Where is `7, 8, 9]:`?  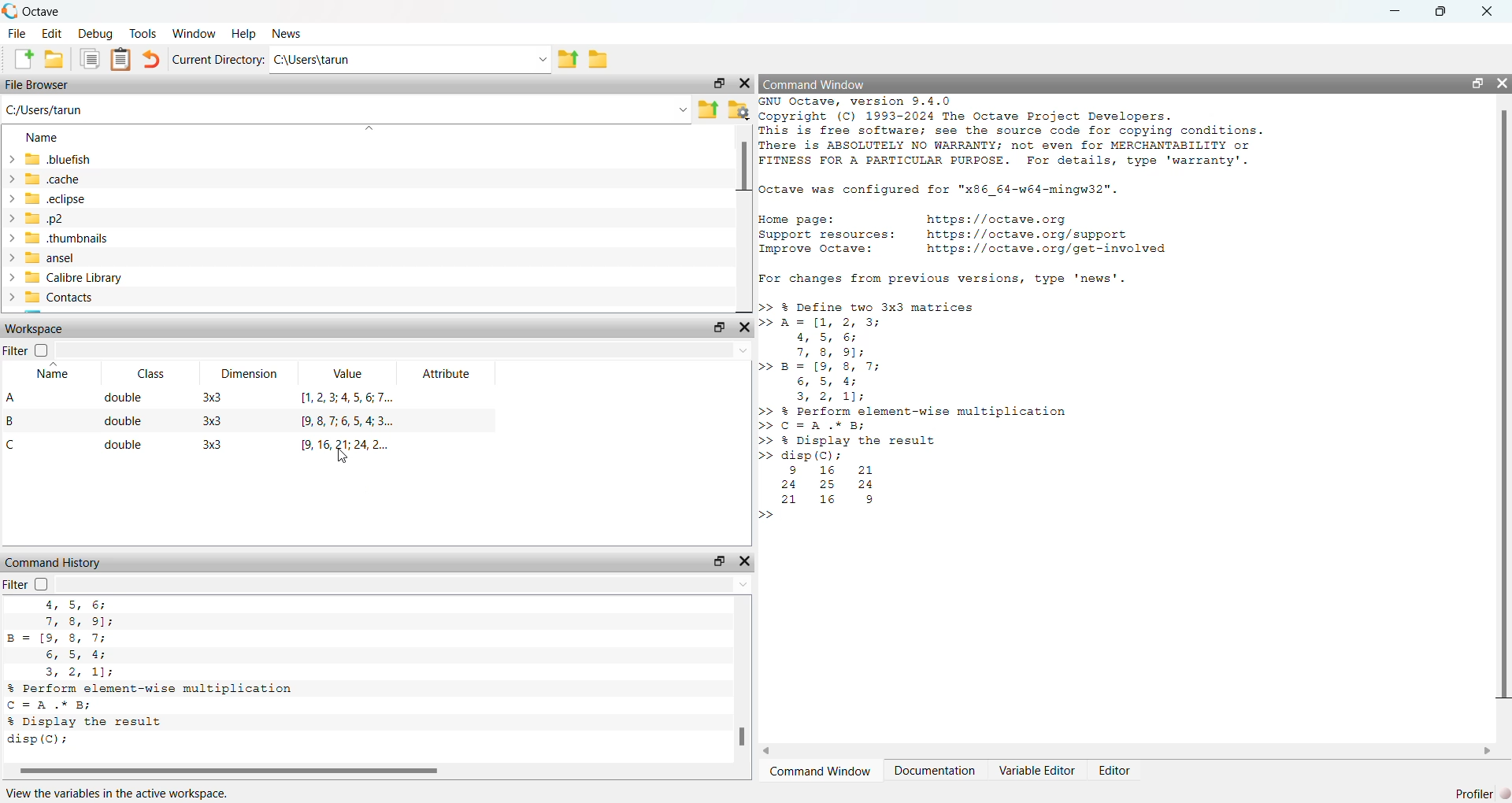 7, 8, 9]: is located at coordinates (80, 622).